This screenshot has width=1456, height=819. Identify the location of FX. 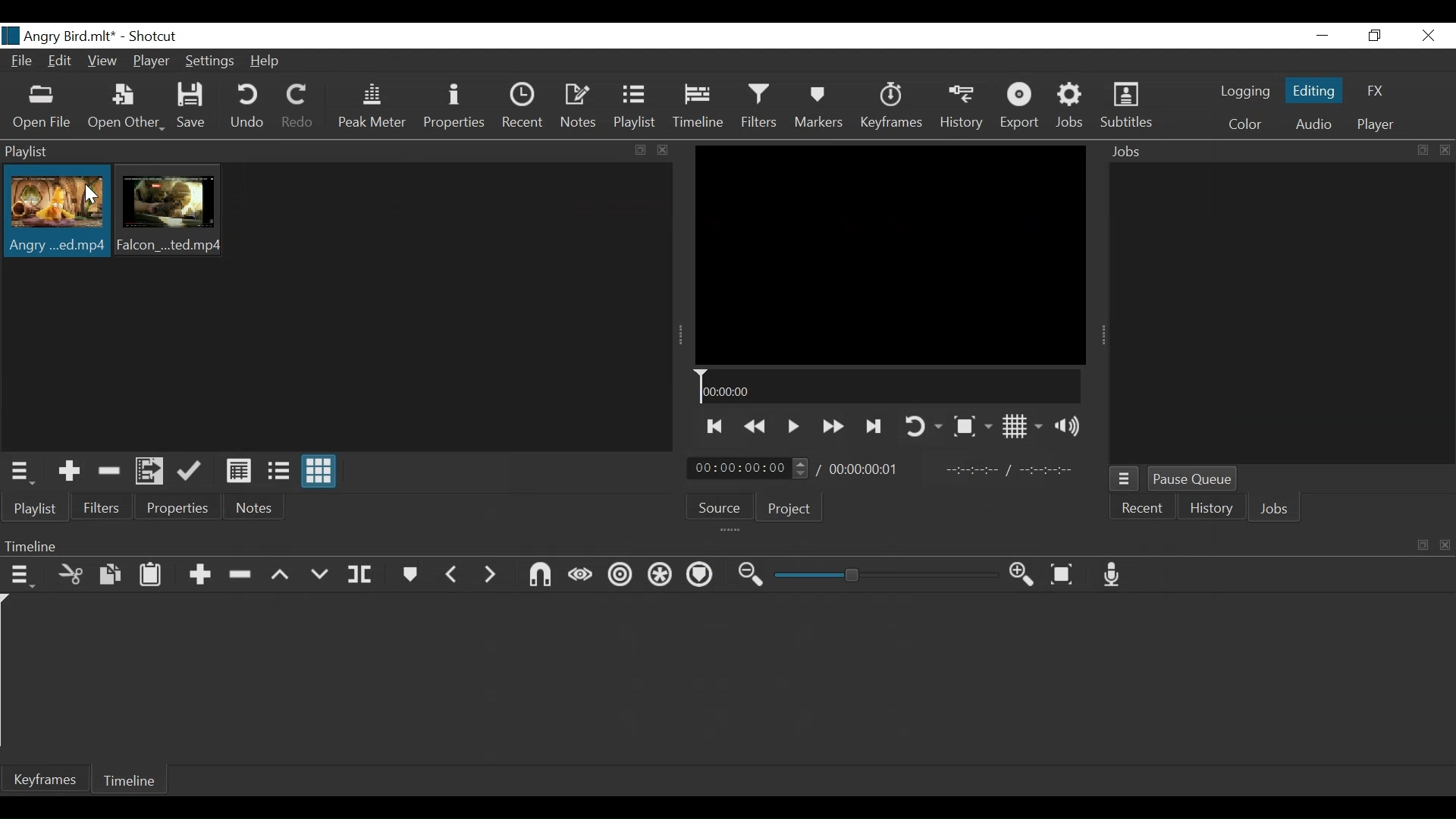
(1376, 91).